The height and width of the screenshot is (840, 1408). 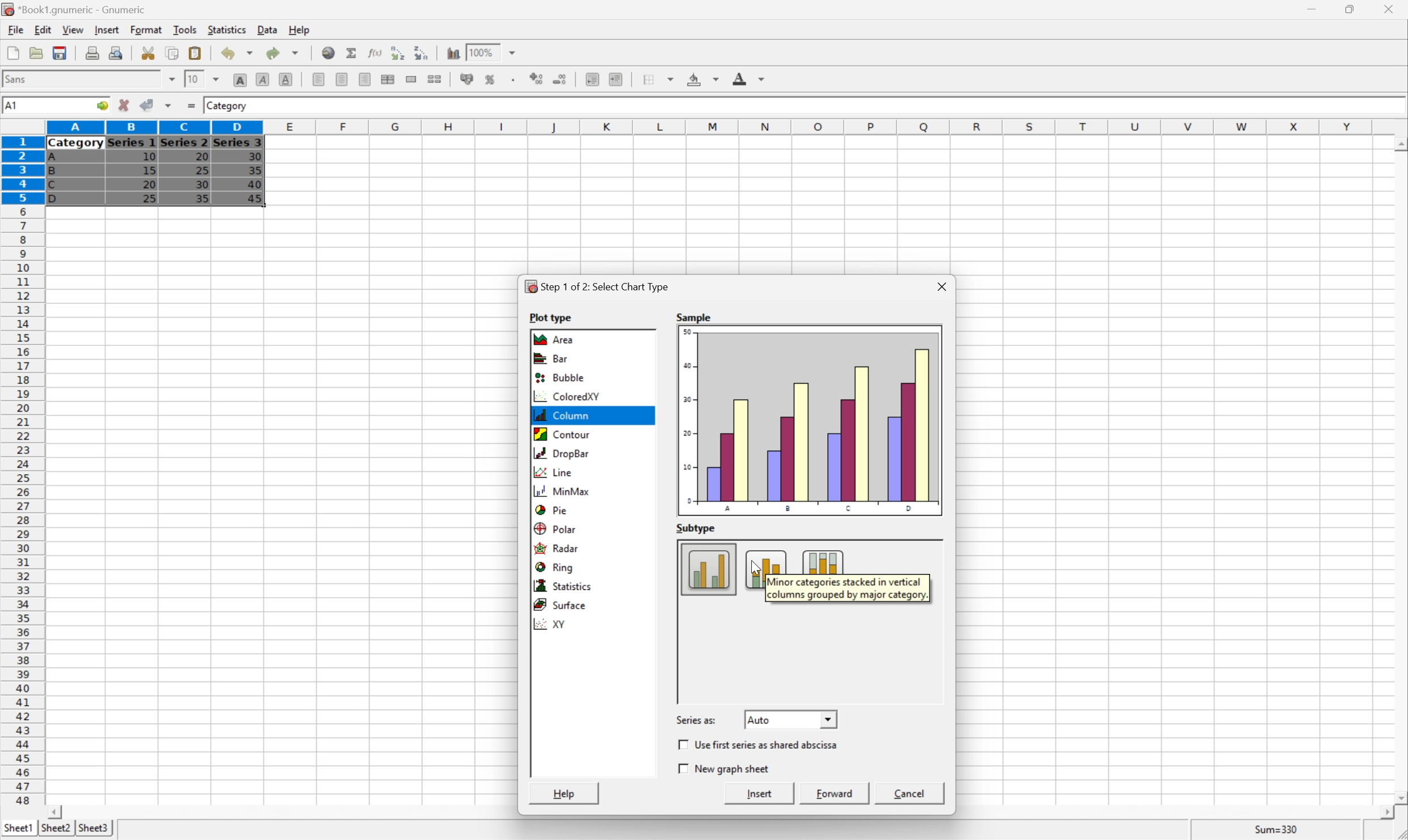 I want to click on 30, so click(x=254, y=156).